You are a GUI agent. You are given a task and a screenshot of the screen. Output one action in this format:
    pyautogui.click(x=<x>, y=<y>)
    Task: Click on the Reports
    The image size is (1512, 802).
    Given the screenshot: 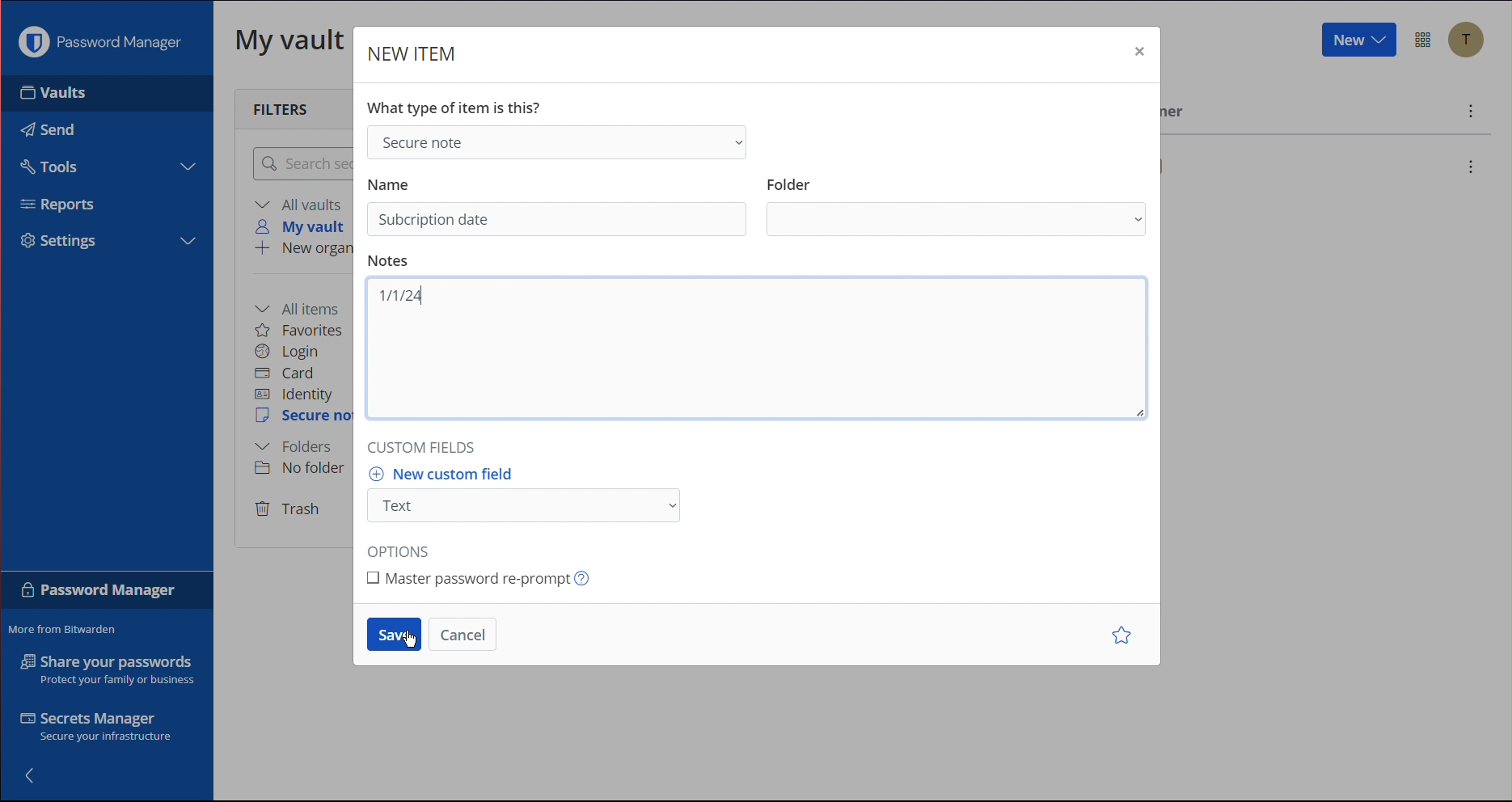 What is the action you would take?
    pyautogui.click(x=65, y=207)
    